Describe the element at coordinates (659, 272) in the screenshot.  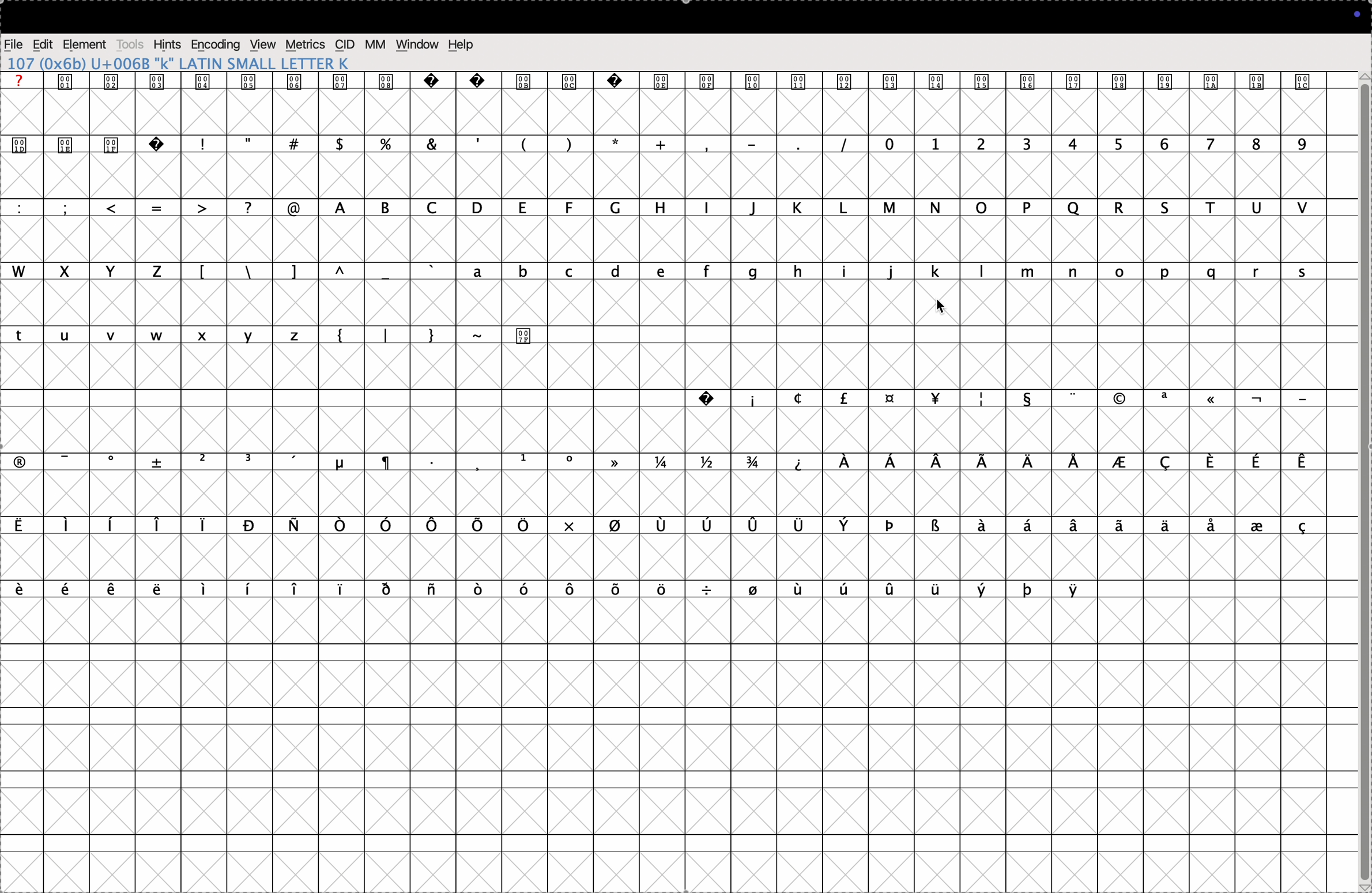
I see `e` at that location.